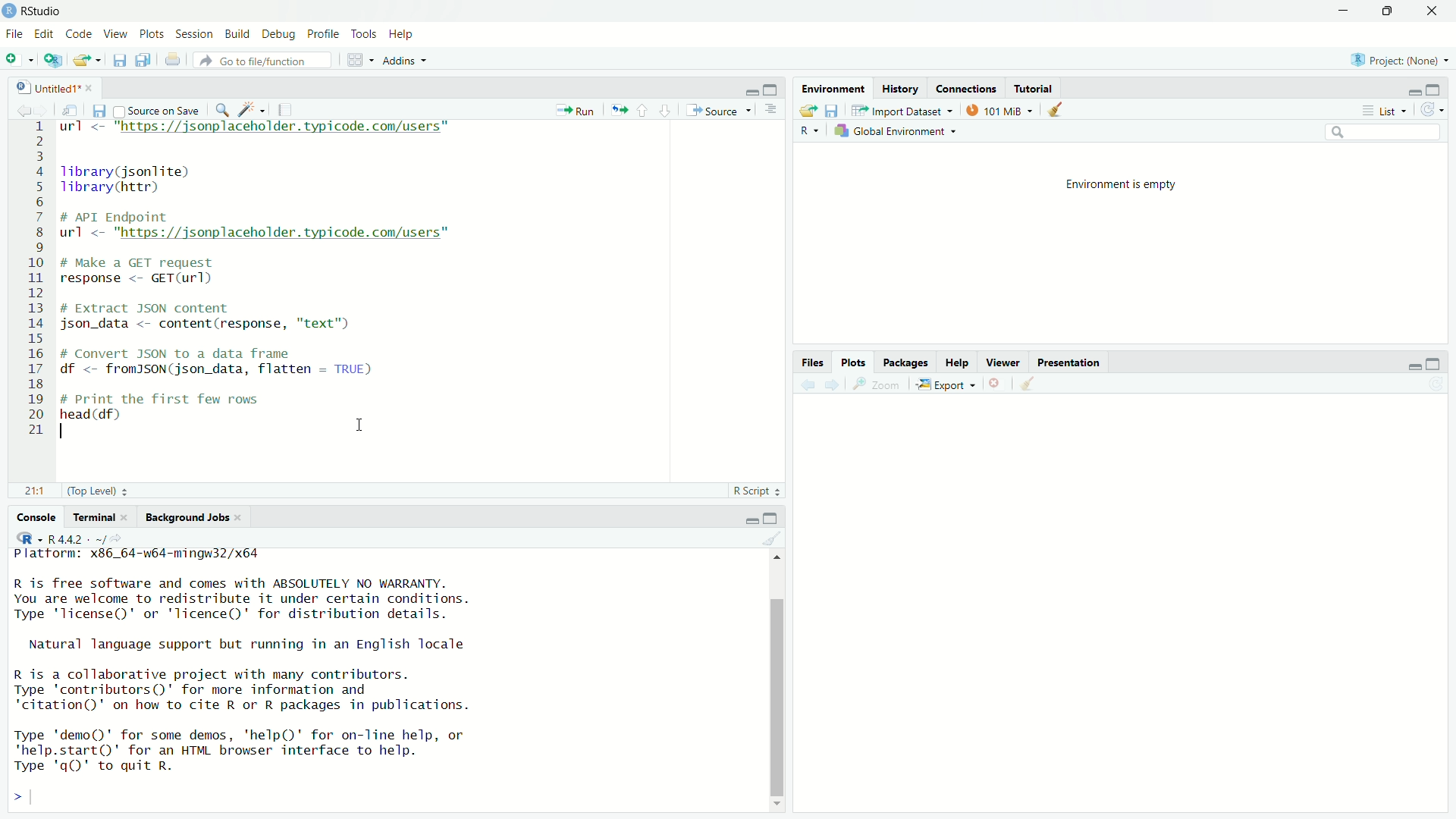  I want to click on Files, so click(814, 362).